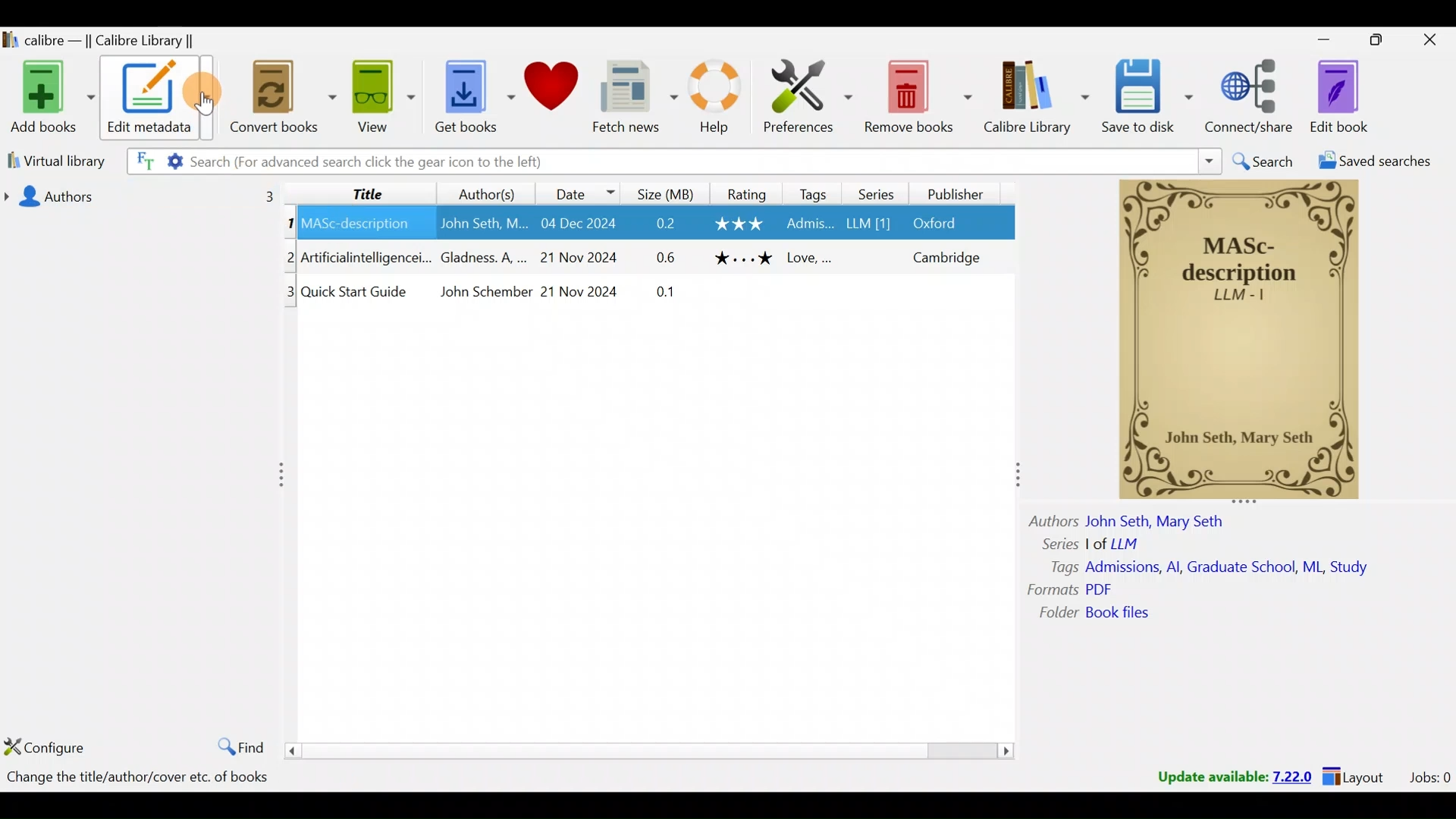 The image size is (1456, 819). I want to click on , so click(1053, 522).